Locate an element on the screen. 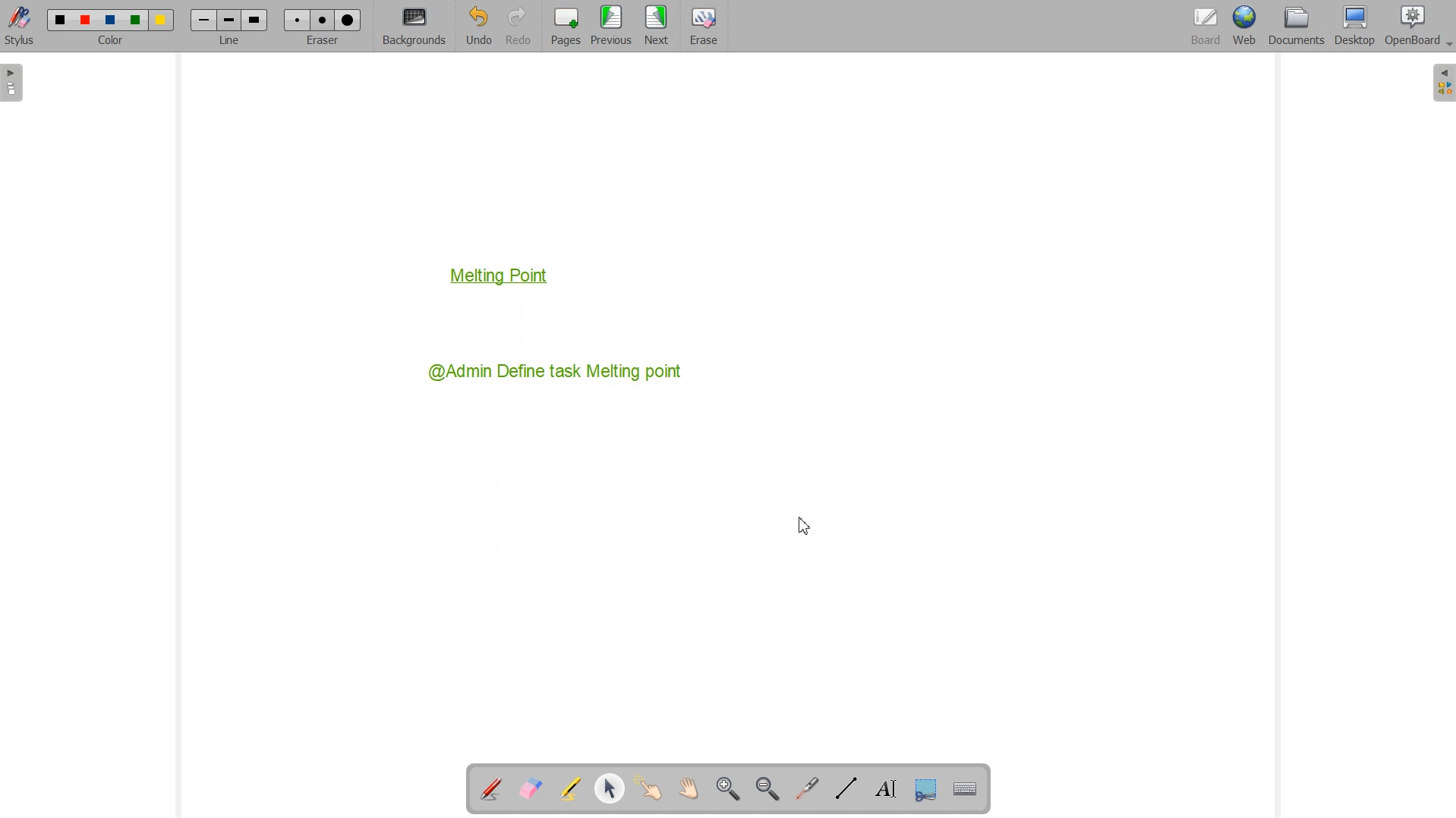 The image size is (1456, 818). Eraser is located at coordinates (701, 27).